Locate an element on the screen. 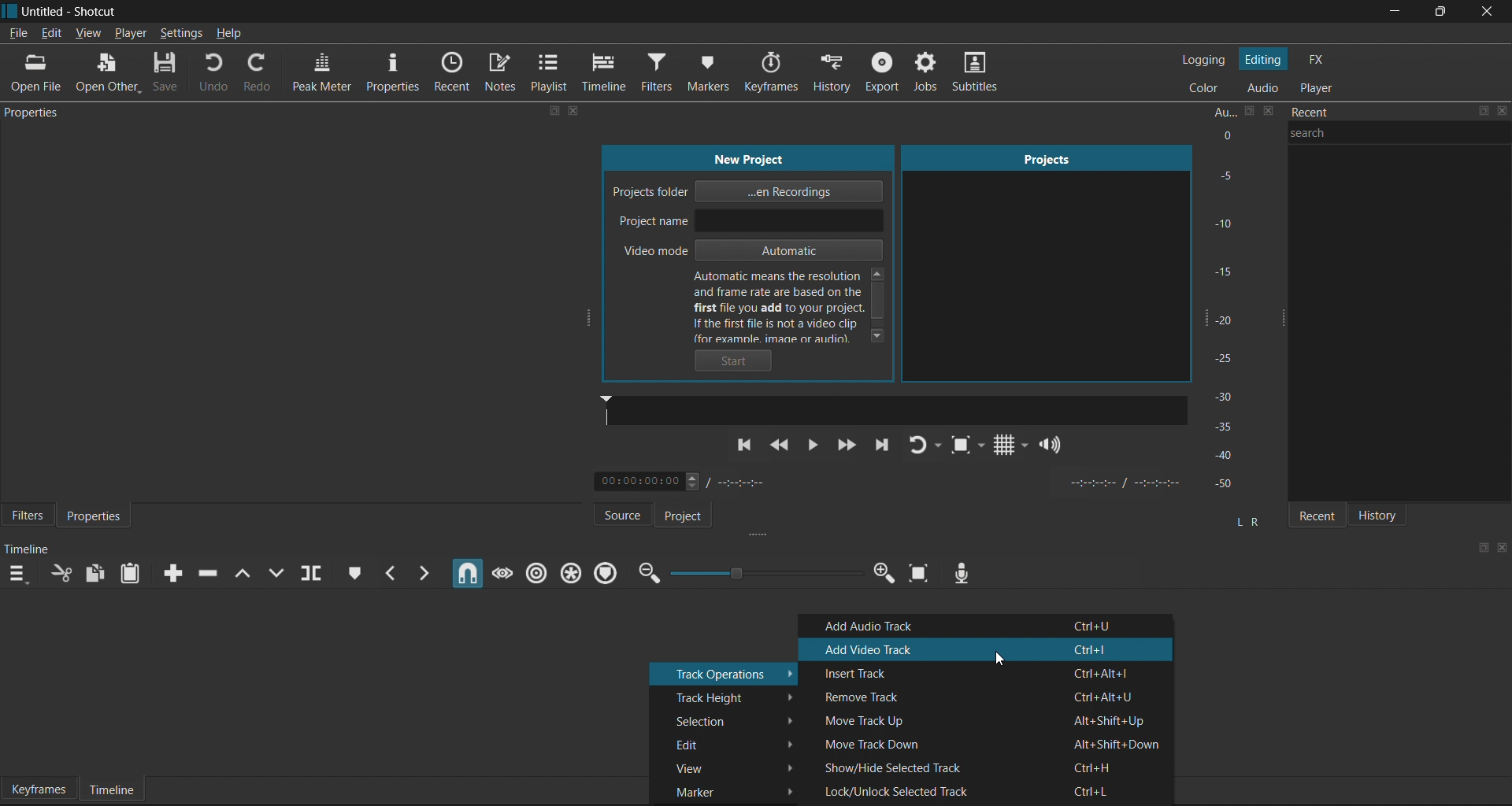  maximize is located at coordinates (555, 112).